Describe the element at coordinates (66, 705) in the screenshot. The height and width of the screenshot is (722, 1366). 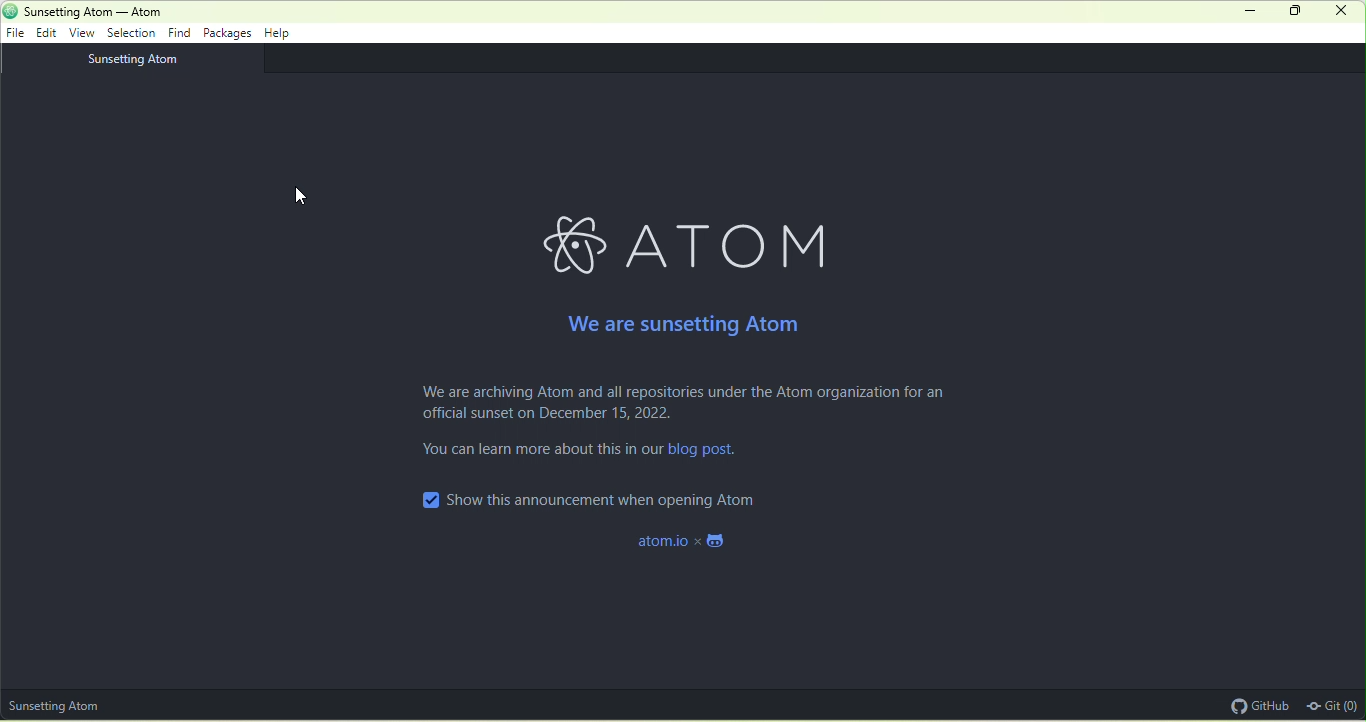
I see `sunsetting atom` at that location.